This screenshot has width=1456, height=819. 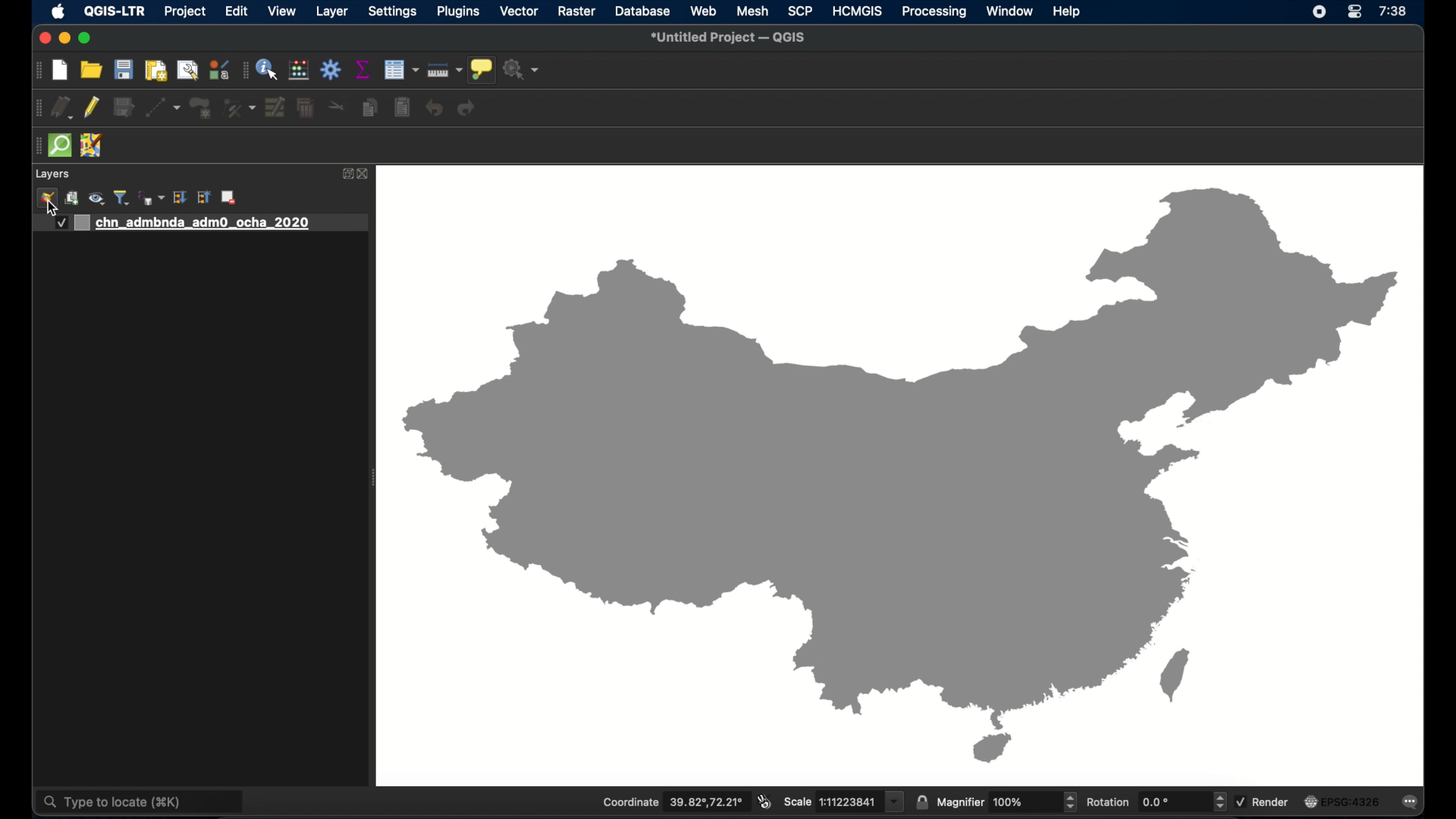 I want to click on maximize, so click(x=86, y=39).